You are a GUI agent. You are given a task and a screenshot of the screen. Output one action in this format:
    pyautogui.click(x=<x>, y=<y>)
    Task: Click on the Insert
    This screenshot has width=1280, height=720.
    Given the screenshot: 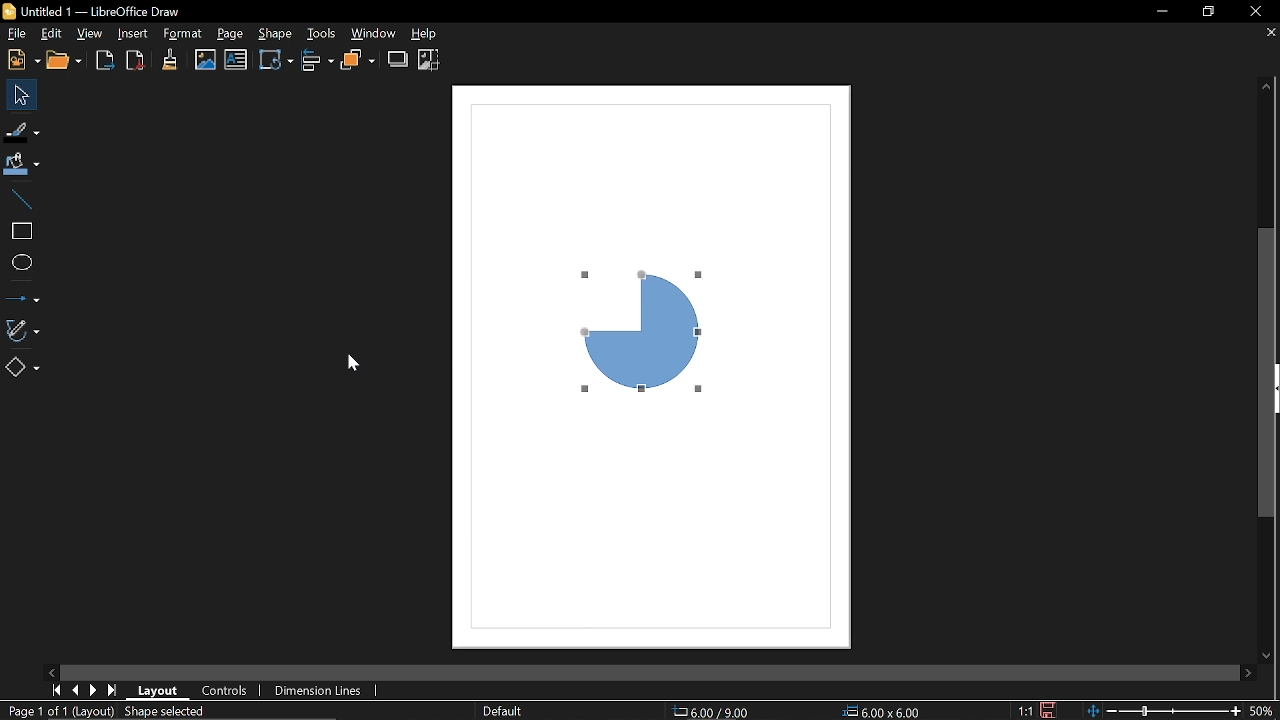 What is the action you would take?
    pyautogui.click(x=130, y=35)
    